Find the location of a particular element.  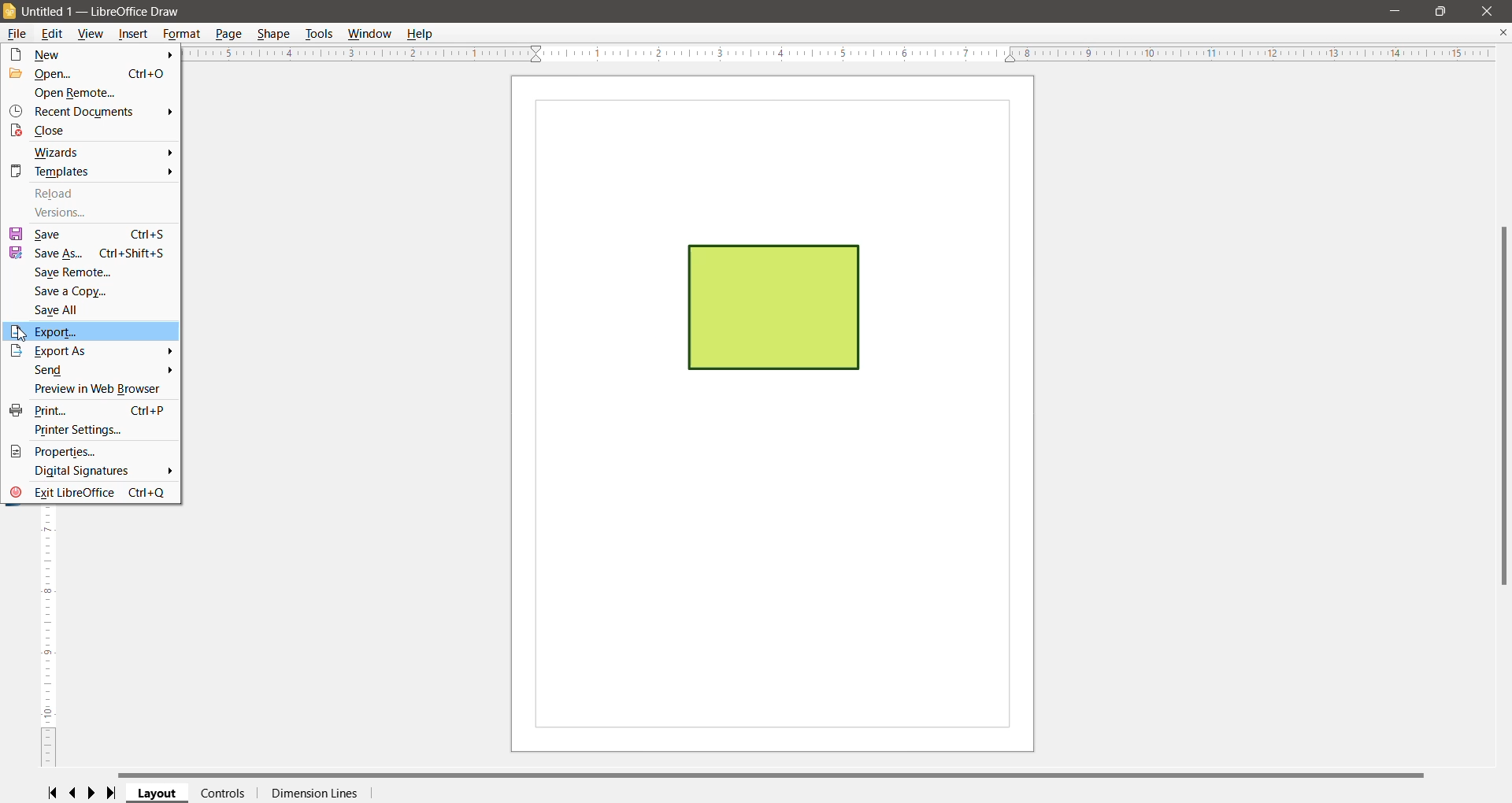

More options is located at coordinates (169, 164).